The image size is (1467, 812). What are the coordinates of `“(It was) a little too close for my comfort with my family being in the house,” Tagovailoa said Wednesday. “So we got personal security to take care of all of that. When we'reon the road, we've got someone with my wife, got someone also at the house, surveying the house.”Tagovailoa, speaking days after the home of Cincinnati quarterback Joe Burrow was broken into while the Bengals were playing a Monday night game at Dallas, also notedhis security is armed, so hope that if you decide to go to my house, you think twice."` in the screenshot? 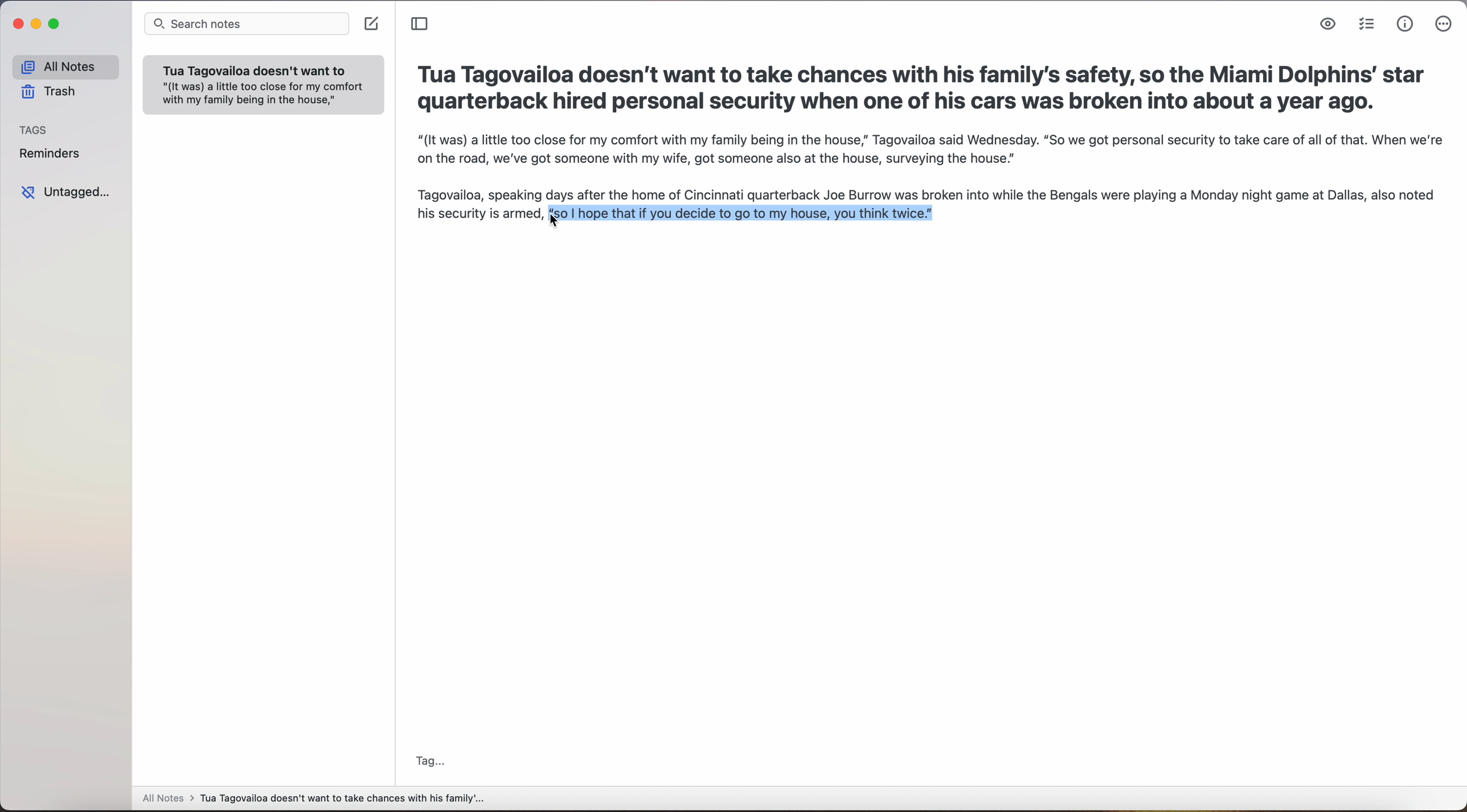 It's located at (929, 180).